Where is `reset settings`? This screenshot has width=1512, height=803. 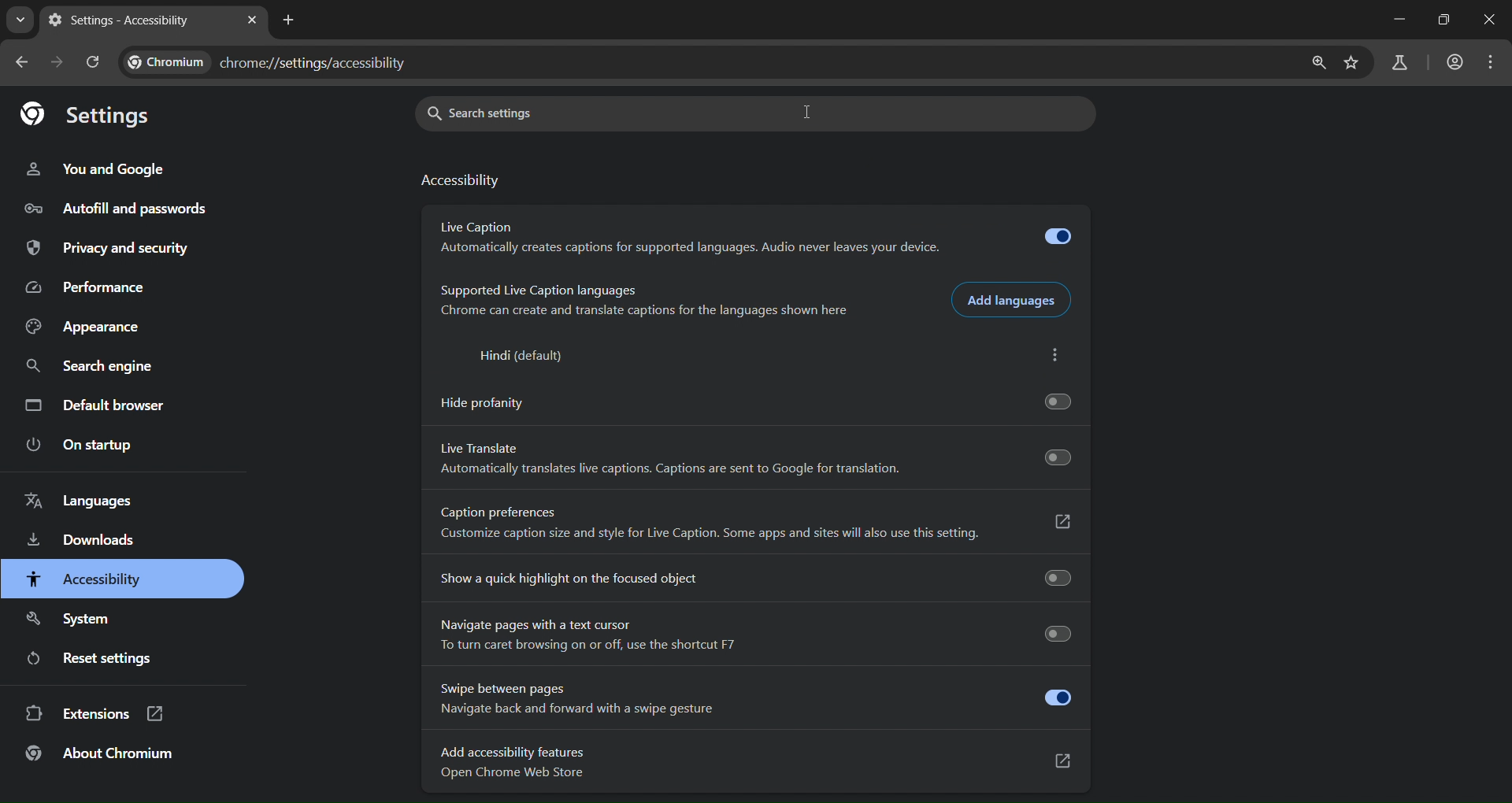 reset settings is located at coordinates (114, 659).